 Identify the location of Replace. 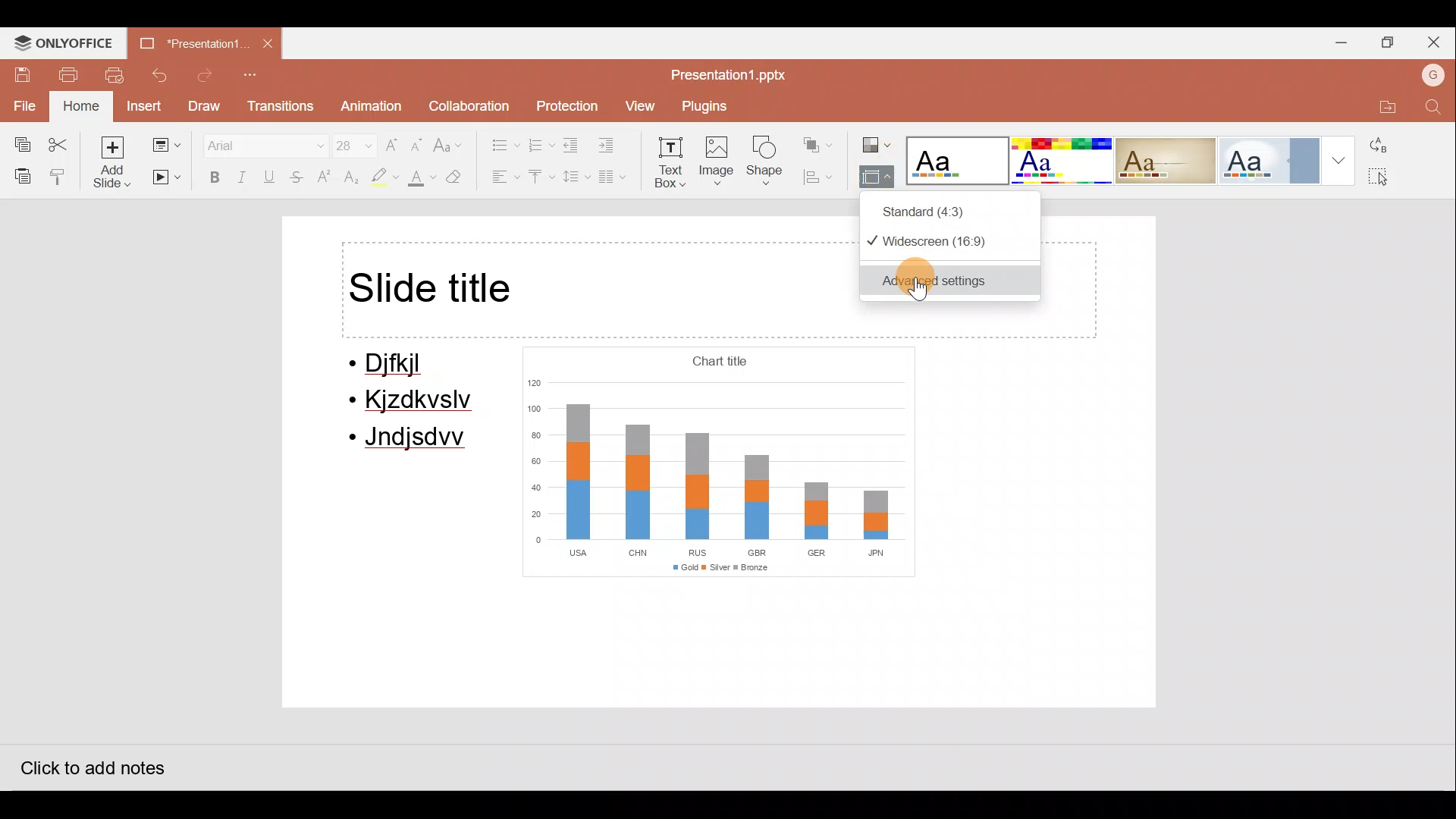
(1388, 145).